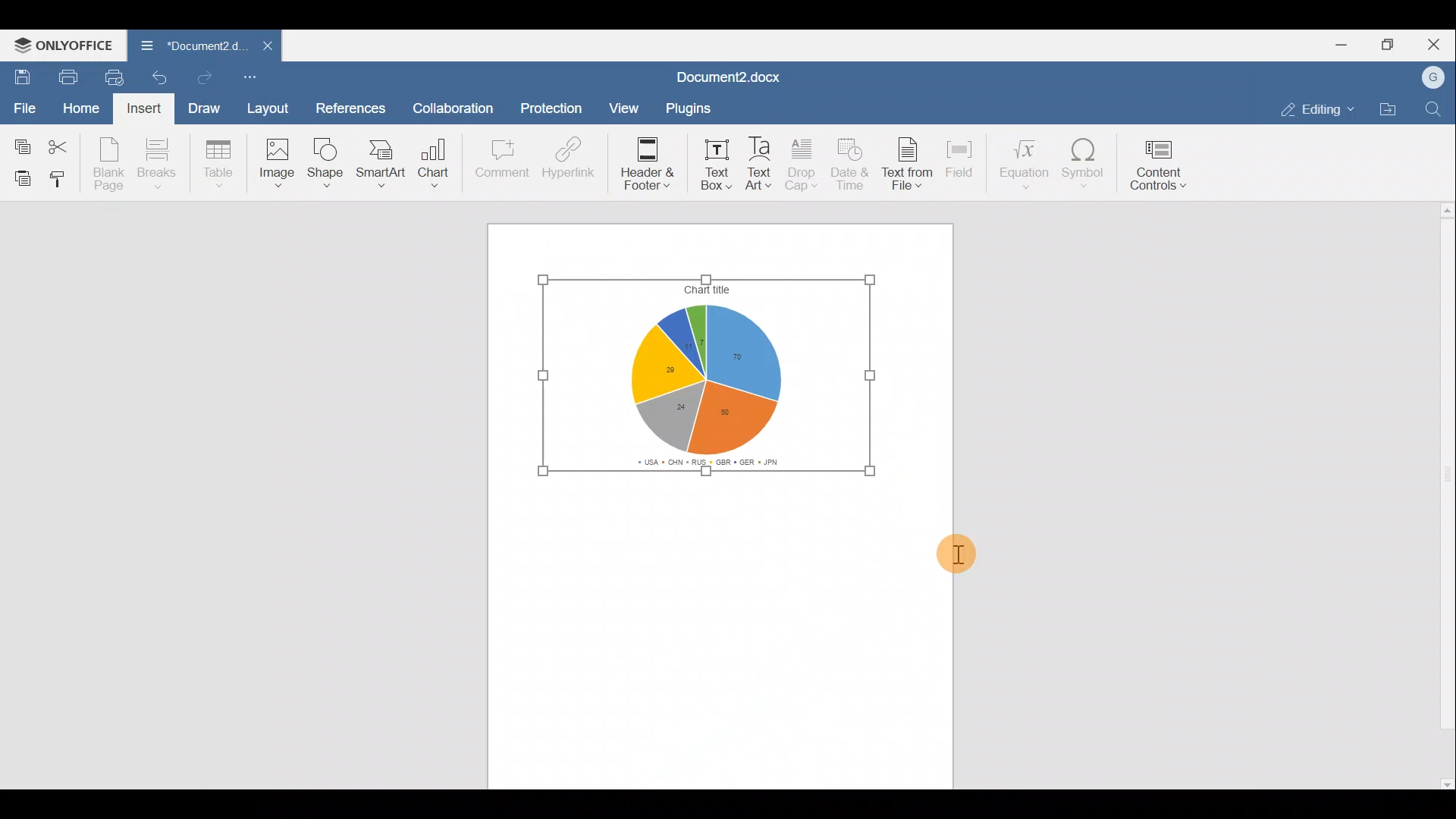 This screenshot has height=819, width=1456. Describe the element at coordinates (1088, 163) in the screenshot. I see `Symbol` at that location.